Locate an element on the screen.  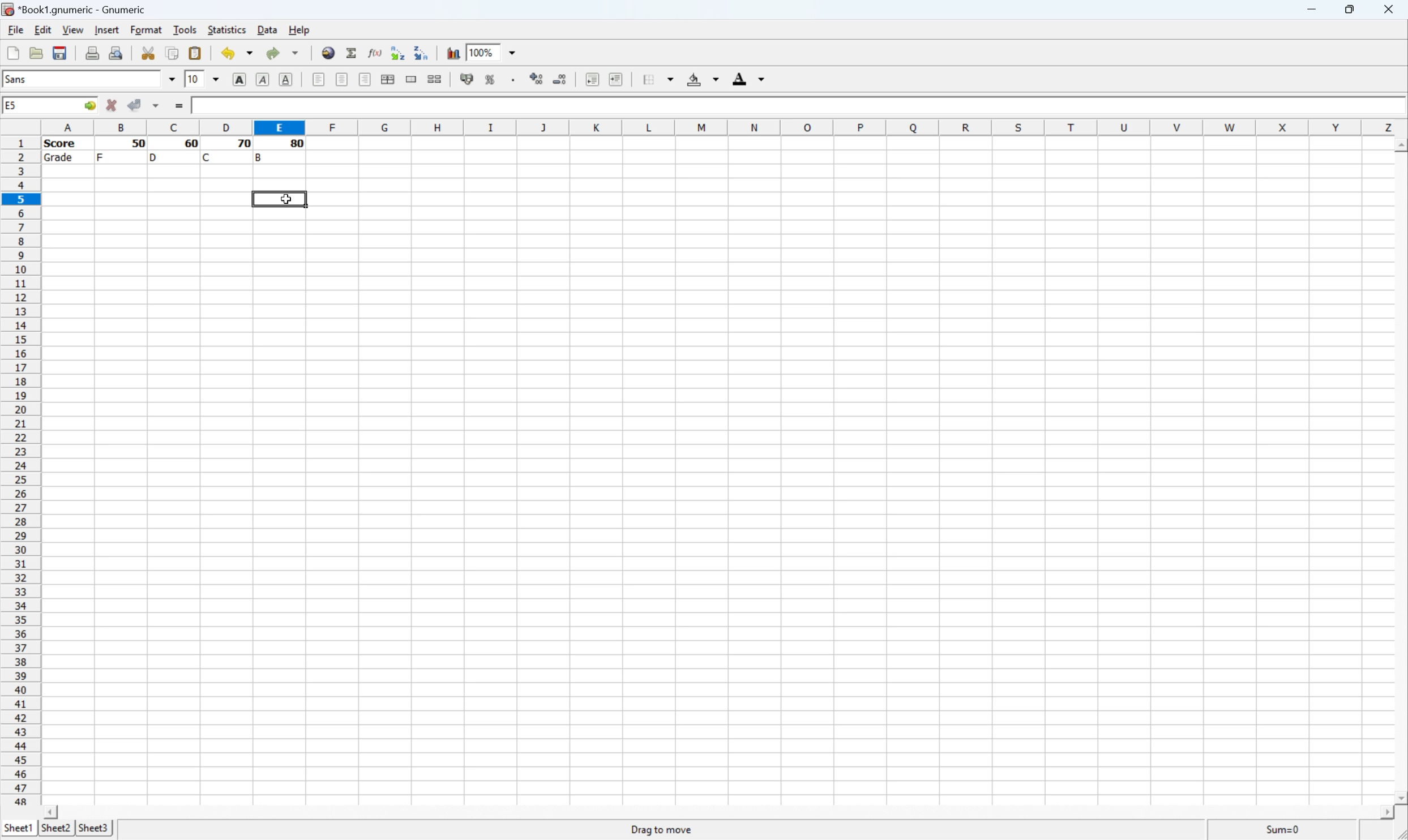
Align Left is located at coordinates (316, 80).